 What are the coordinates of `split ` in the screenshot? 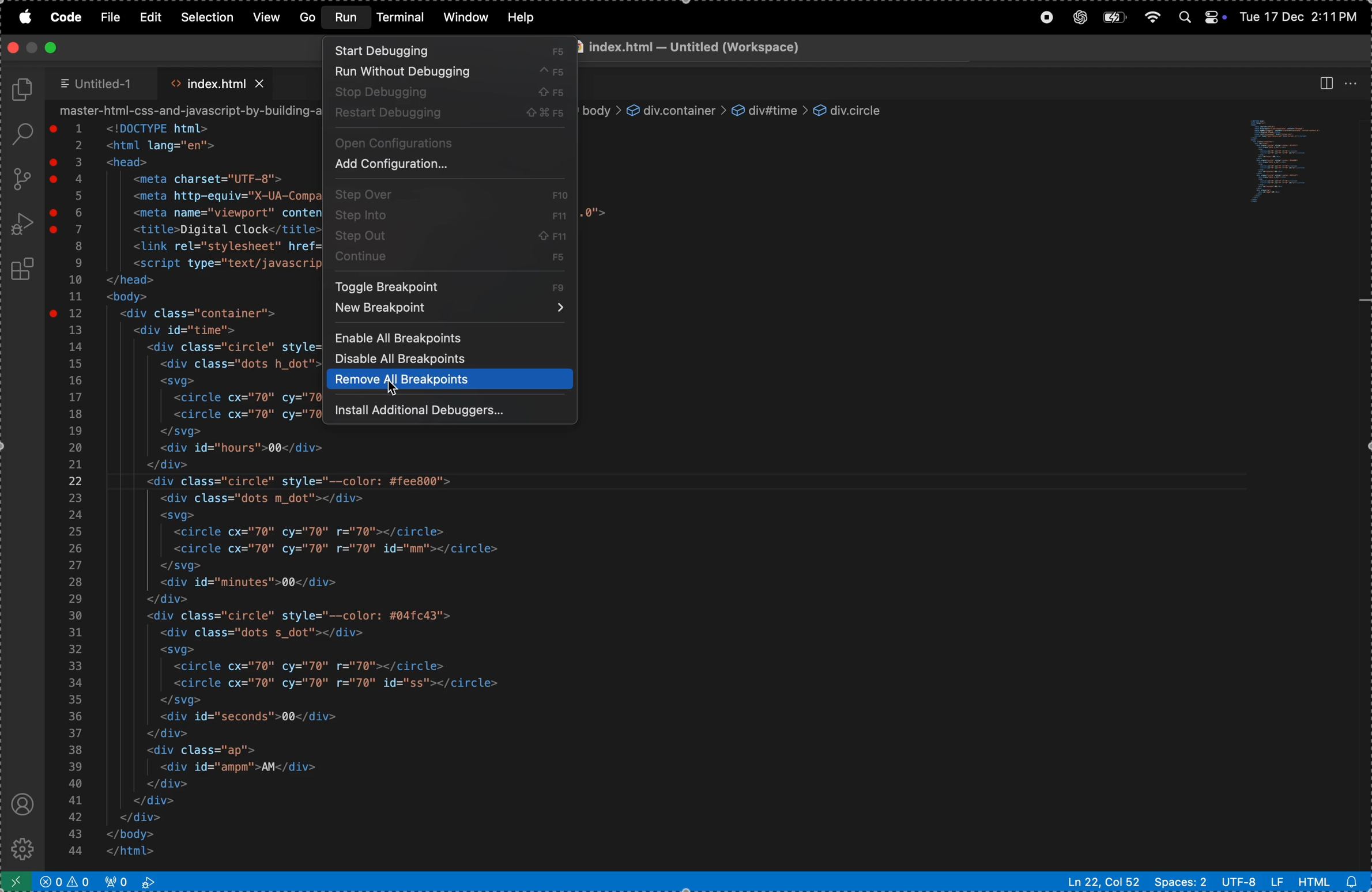 It's located at (1324, 83).